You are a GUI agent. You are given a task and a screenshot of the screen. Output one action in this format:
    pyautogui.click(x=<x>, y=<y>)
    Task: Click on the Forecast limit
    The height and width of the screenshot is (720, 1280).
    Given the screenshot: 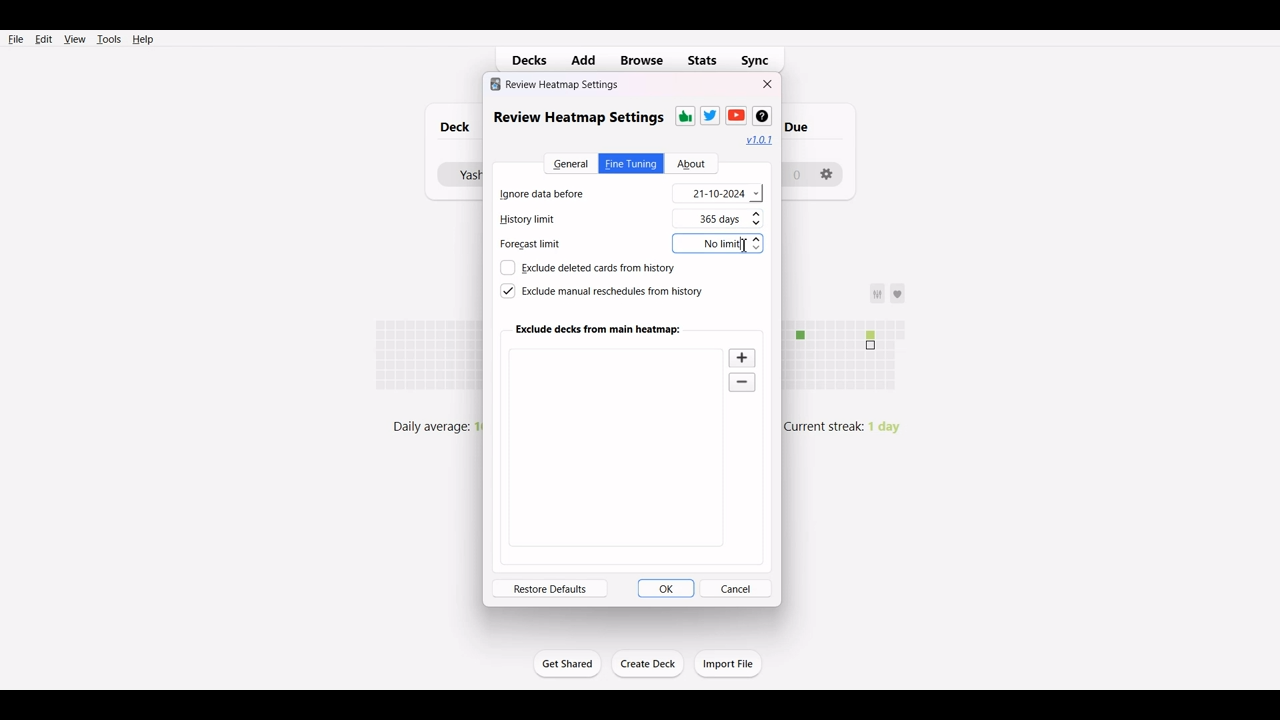 What is the action you would take?
    pyautogui.click(x=542, y=247)
    